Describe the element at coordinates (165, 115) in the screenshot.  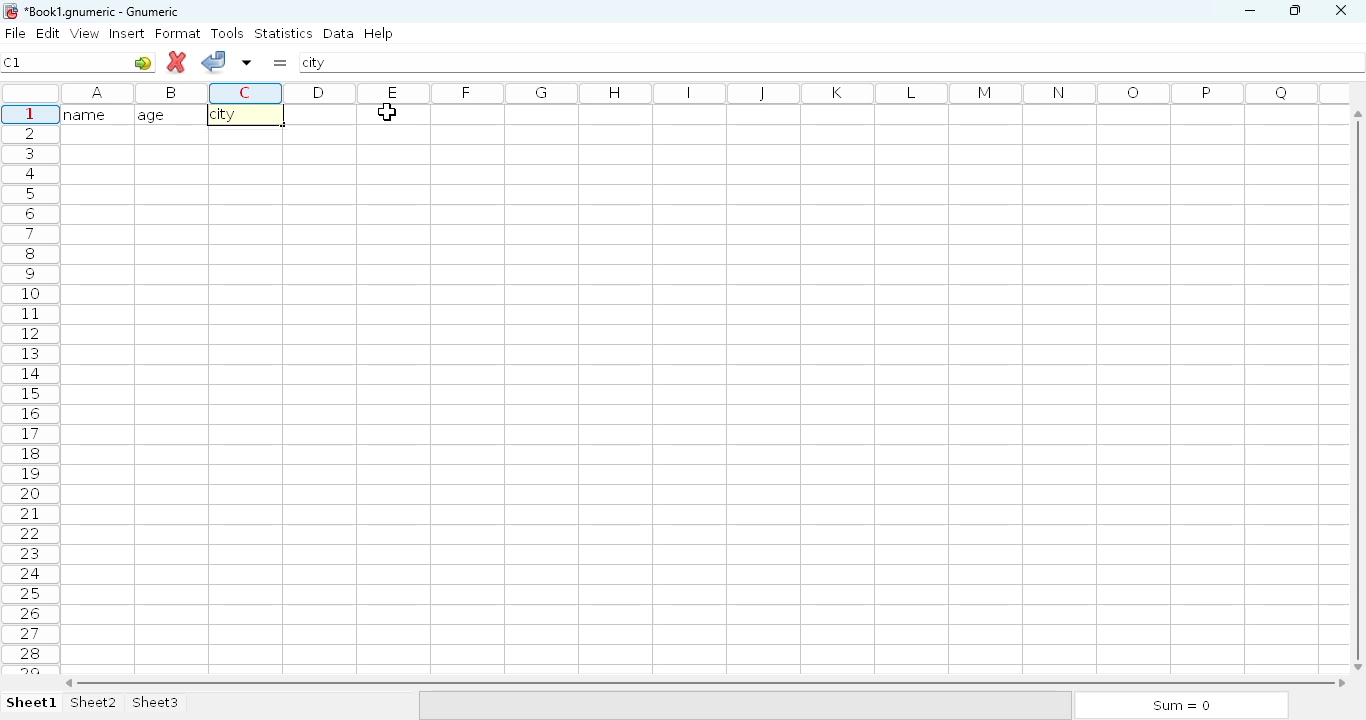
I see `age (heading)` at that location.